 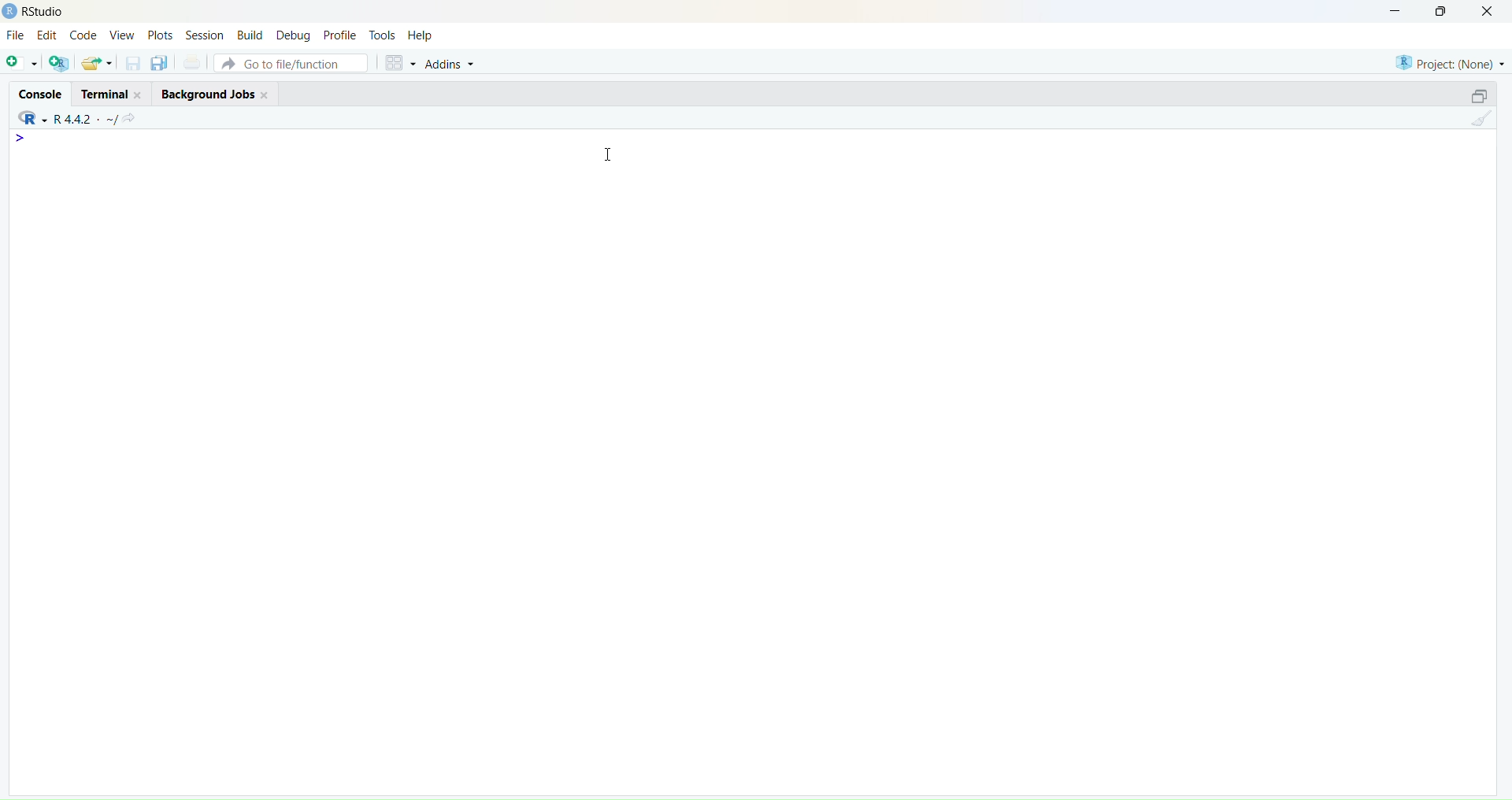 I want to click on save as, so click(x=159, y=64).